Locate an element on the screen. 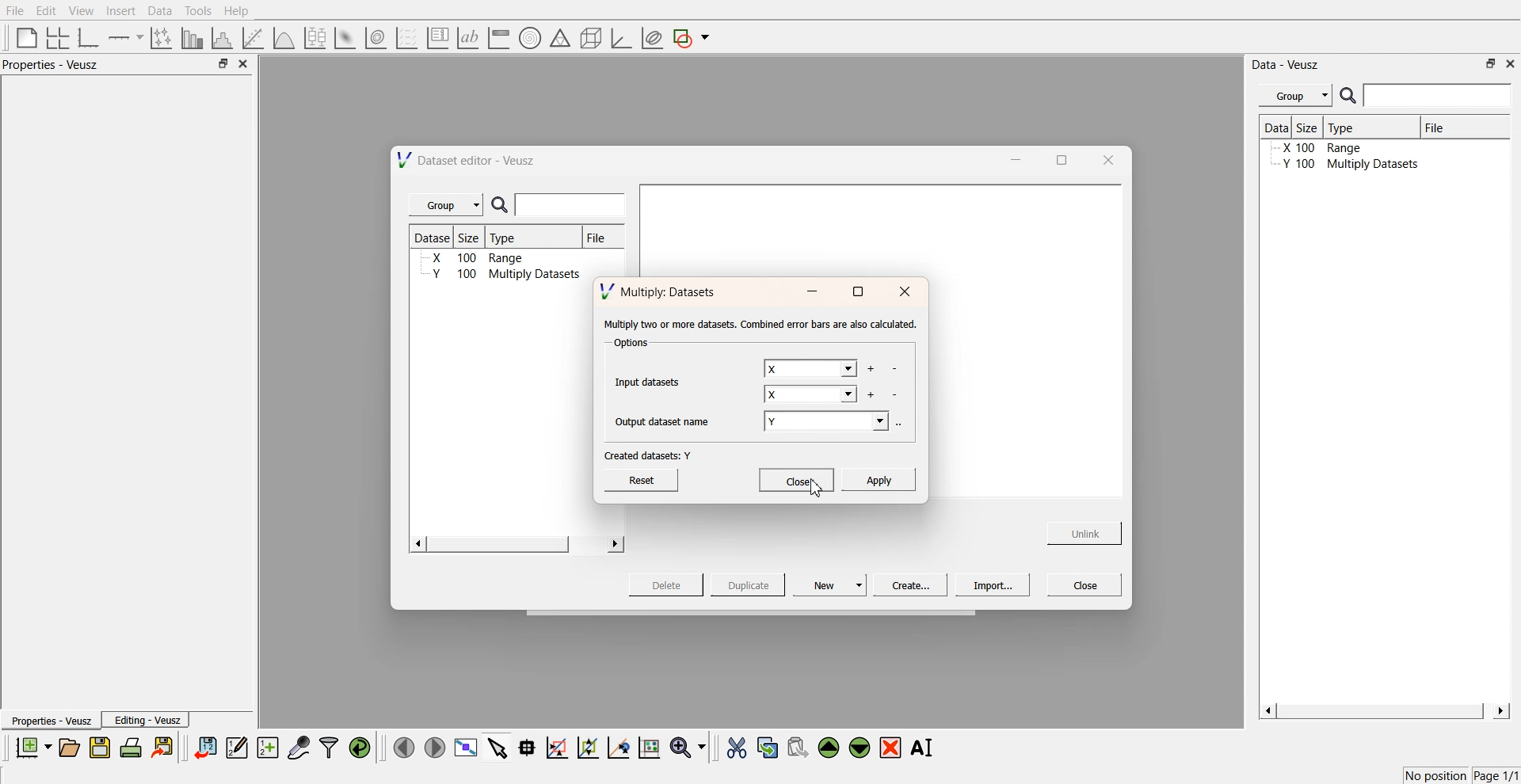 The width and height of the screenshot is (1521, 784). New is located at coordinates (832, 584).